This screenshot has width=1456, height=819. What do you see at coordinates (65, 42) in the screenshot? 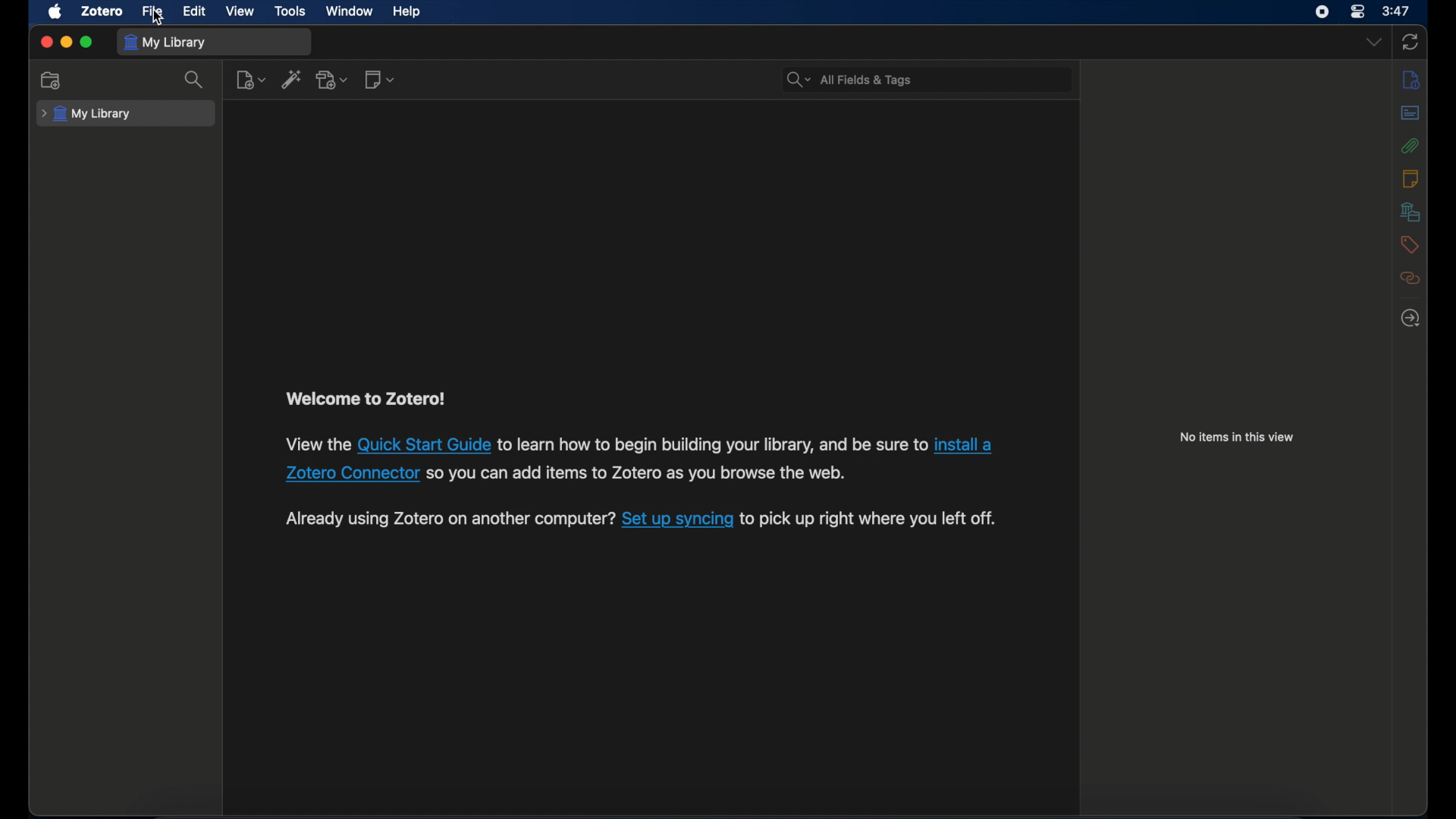
I see `minimize` at bounding box center [65, 42].